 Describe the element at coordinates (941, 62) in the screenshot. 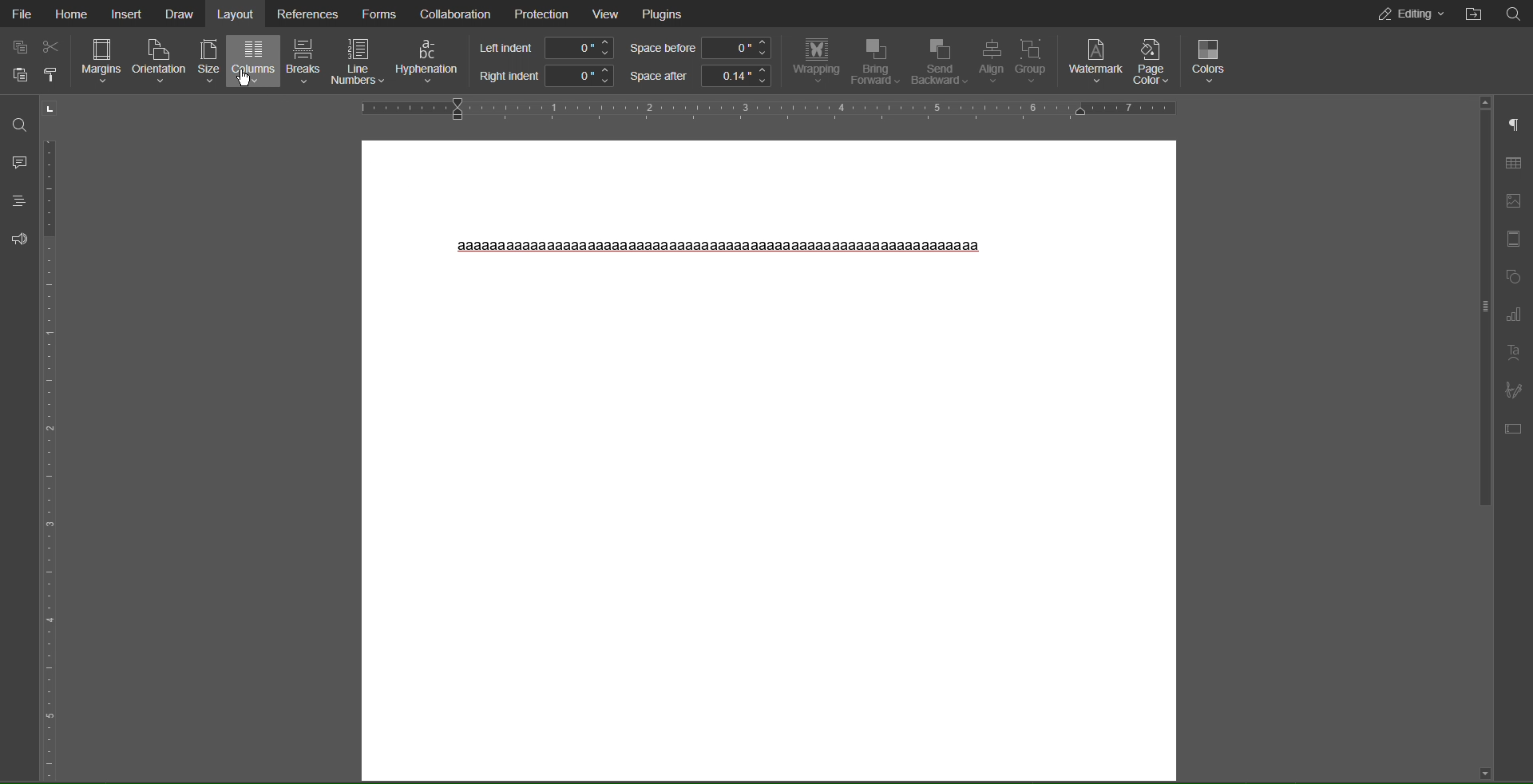

I see `Send Backward` at that location.